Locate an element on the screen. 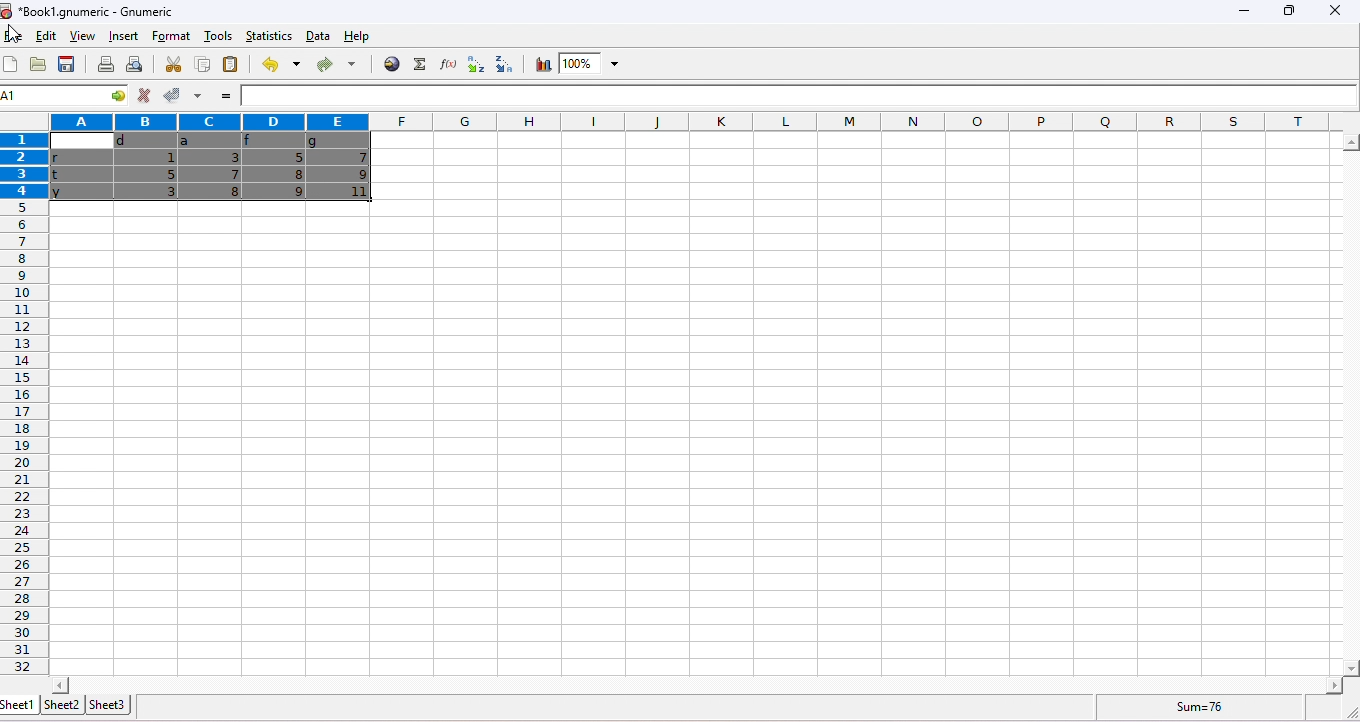  save is located at coordinates (69, 65).